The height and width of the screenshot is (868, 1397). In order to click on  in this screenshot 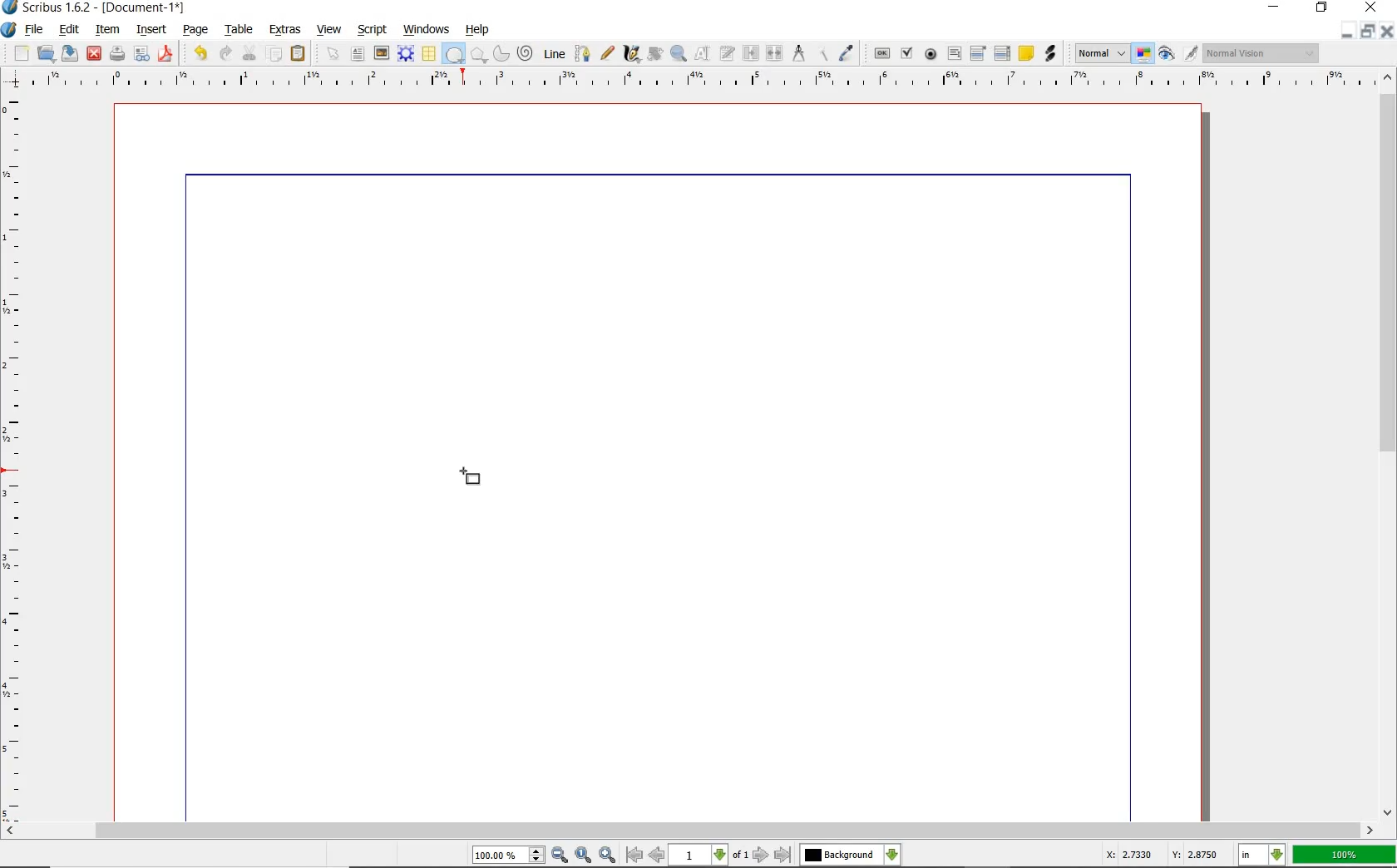, I will do `click(840, 855)`.